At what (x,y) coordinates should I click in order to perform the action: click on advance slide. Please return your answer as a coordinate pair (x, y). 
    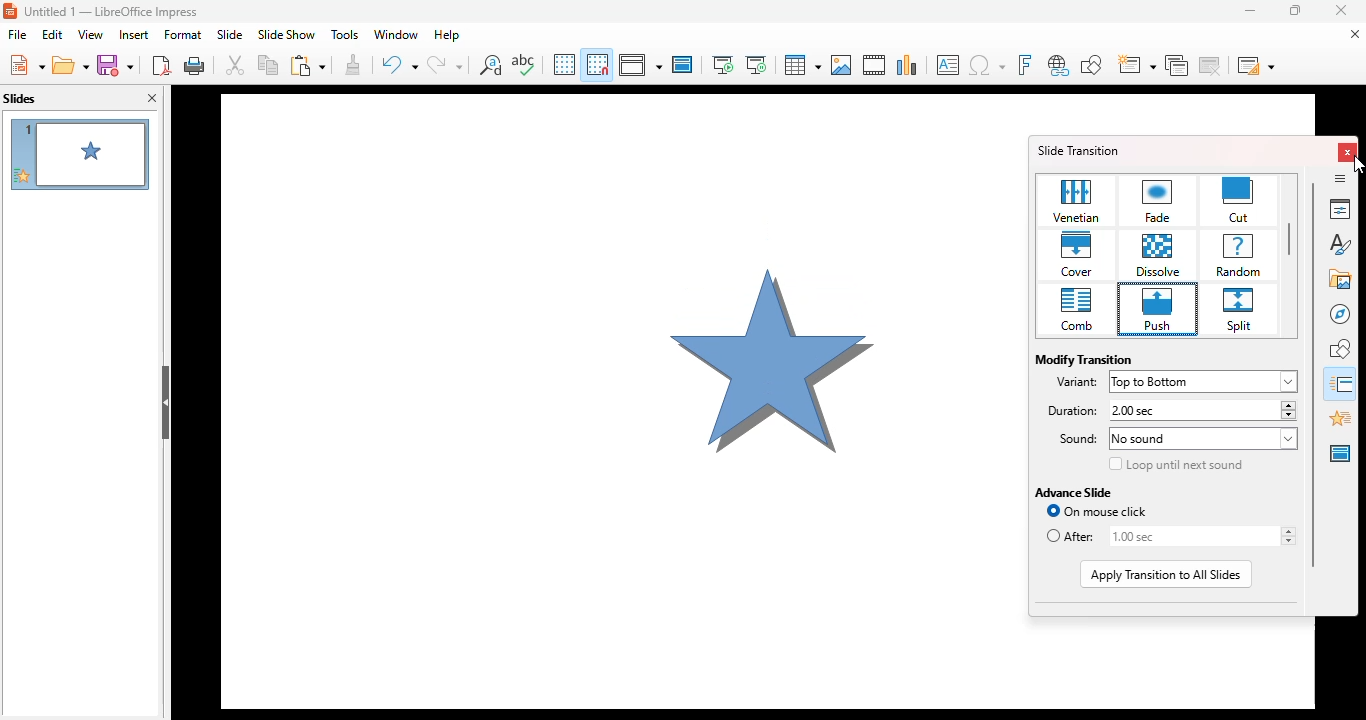
    Looking at the image, I should click on (1074, 492).